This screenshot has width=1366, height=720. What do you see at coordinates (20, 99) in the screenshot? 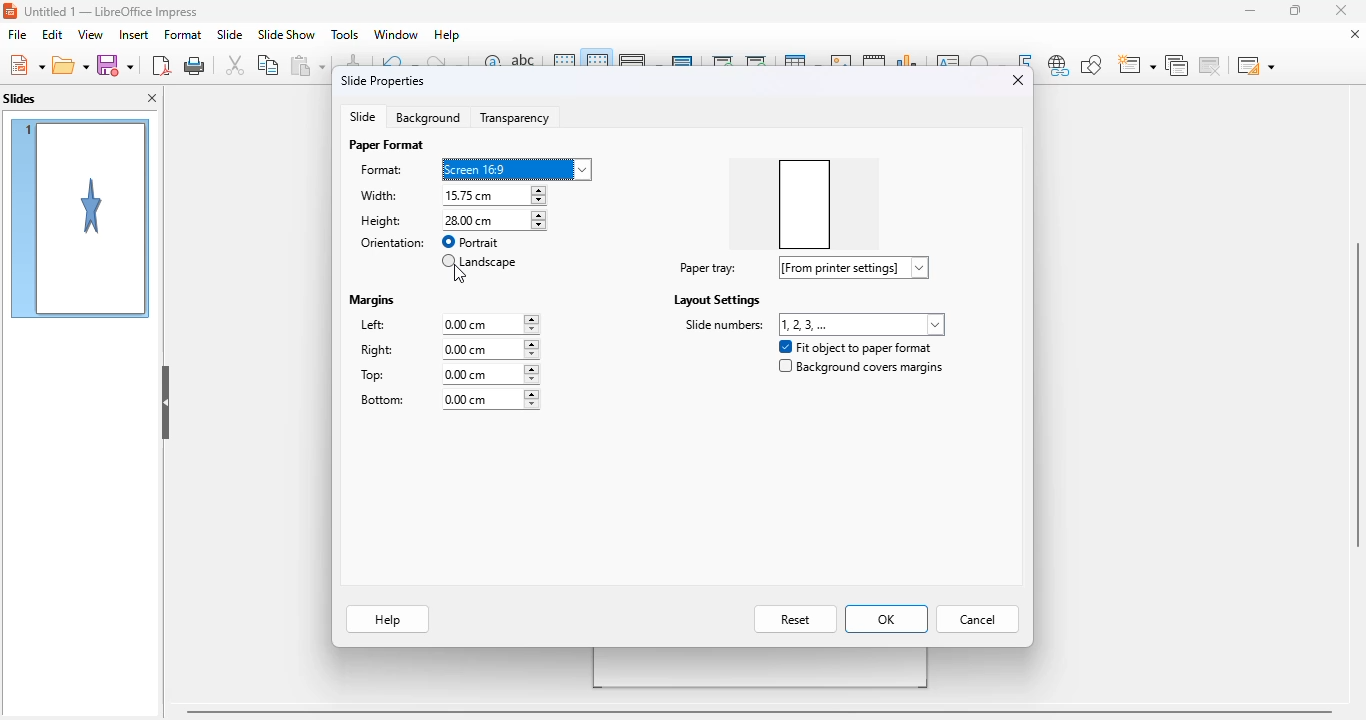
I see `slides` at bounding box center [20, 99].